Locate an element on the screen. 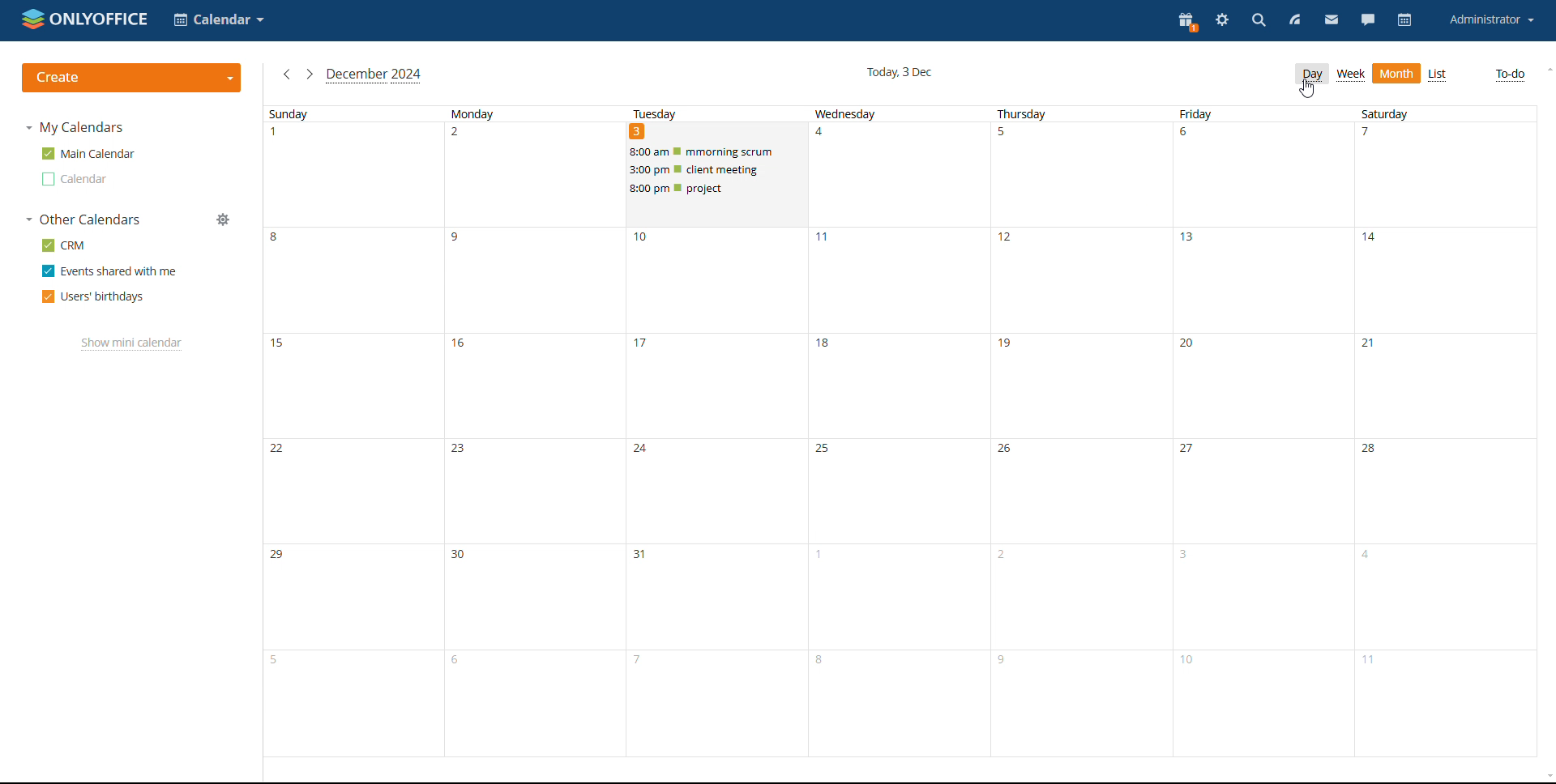 This screenshot has height=784, width=1556. create is located at coordinates (132, 78).